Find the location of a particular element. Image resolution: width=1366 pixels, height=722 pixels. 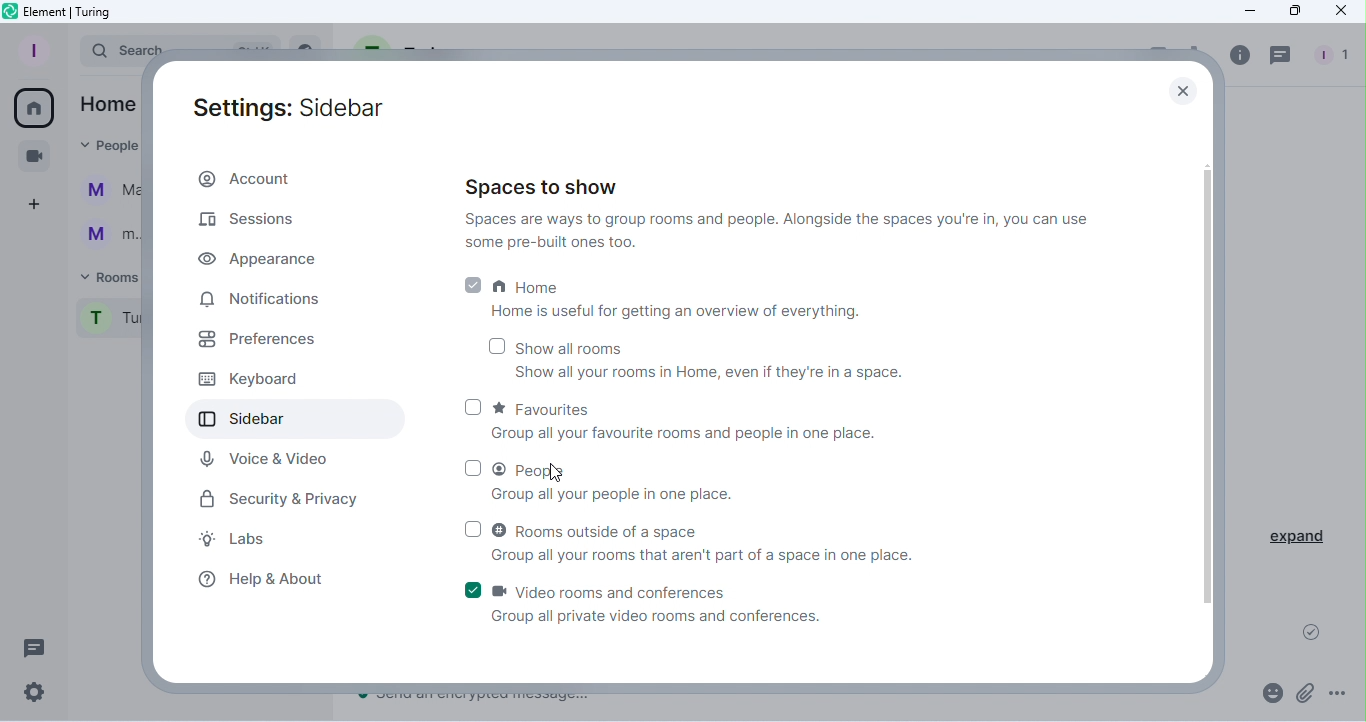

Close is located at coordinates (1174, 88).